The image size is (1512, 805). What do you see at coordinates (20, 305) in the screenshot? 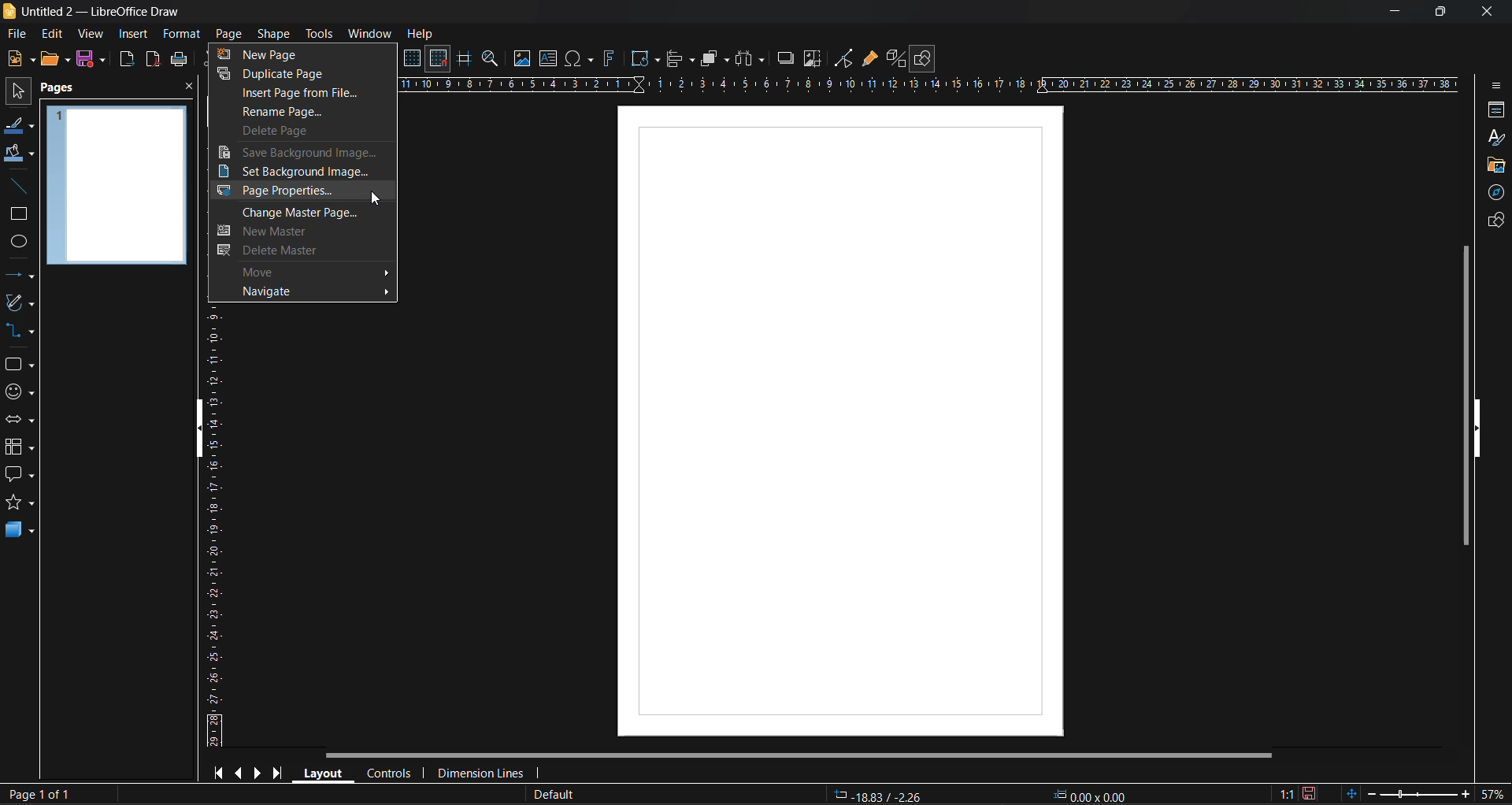
I see `curves and polygons` at bounding box center [20, 305].